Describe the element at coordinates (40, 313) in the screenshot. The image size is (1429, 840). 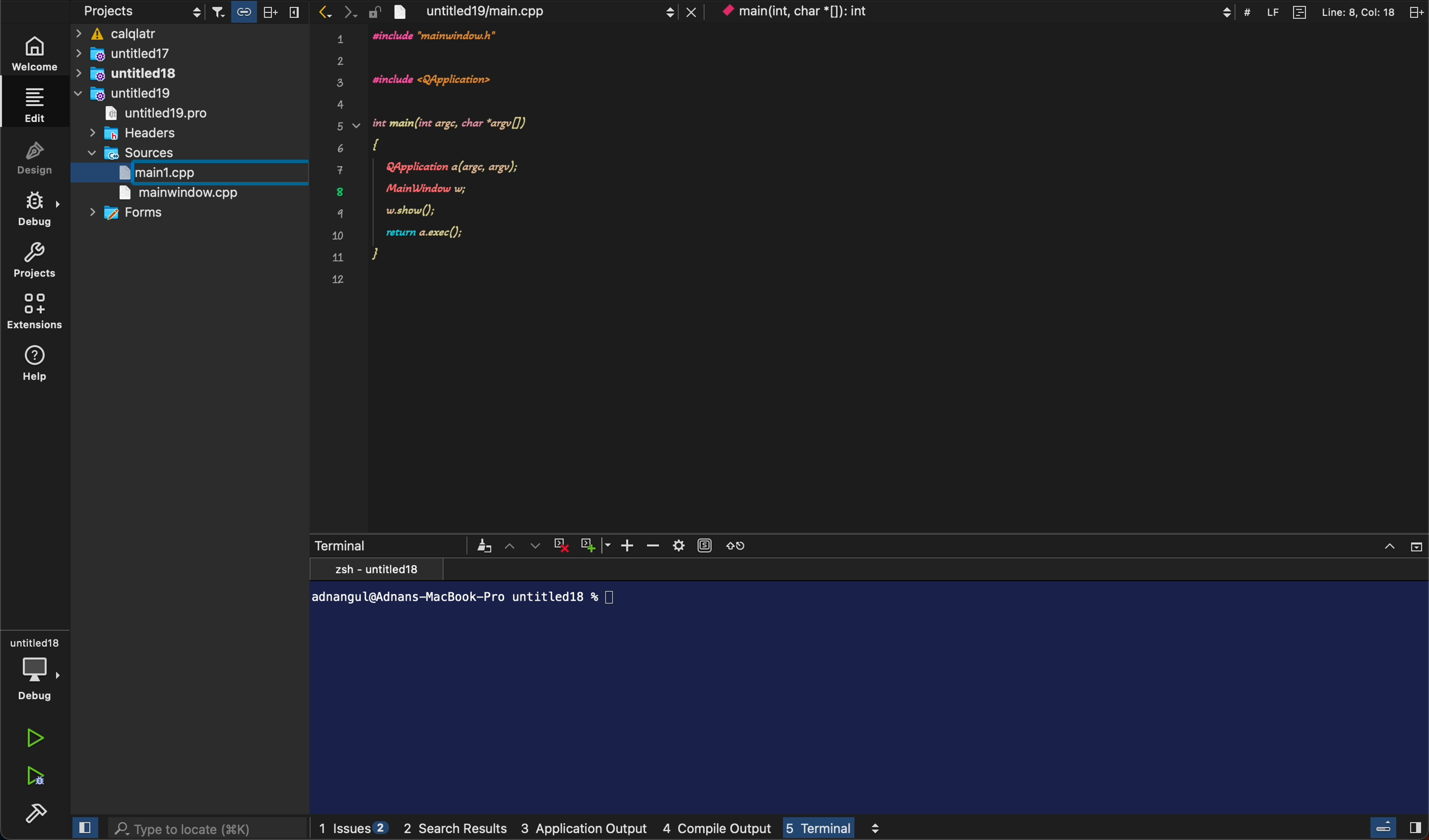
I see `extensions` at that location.